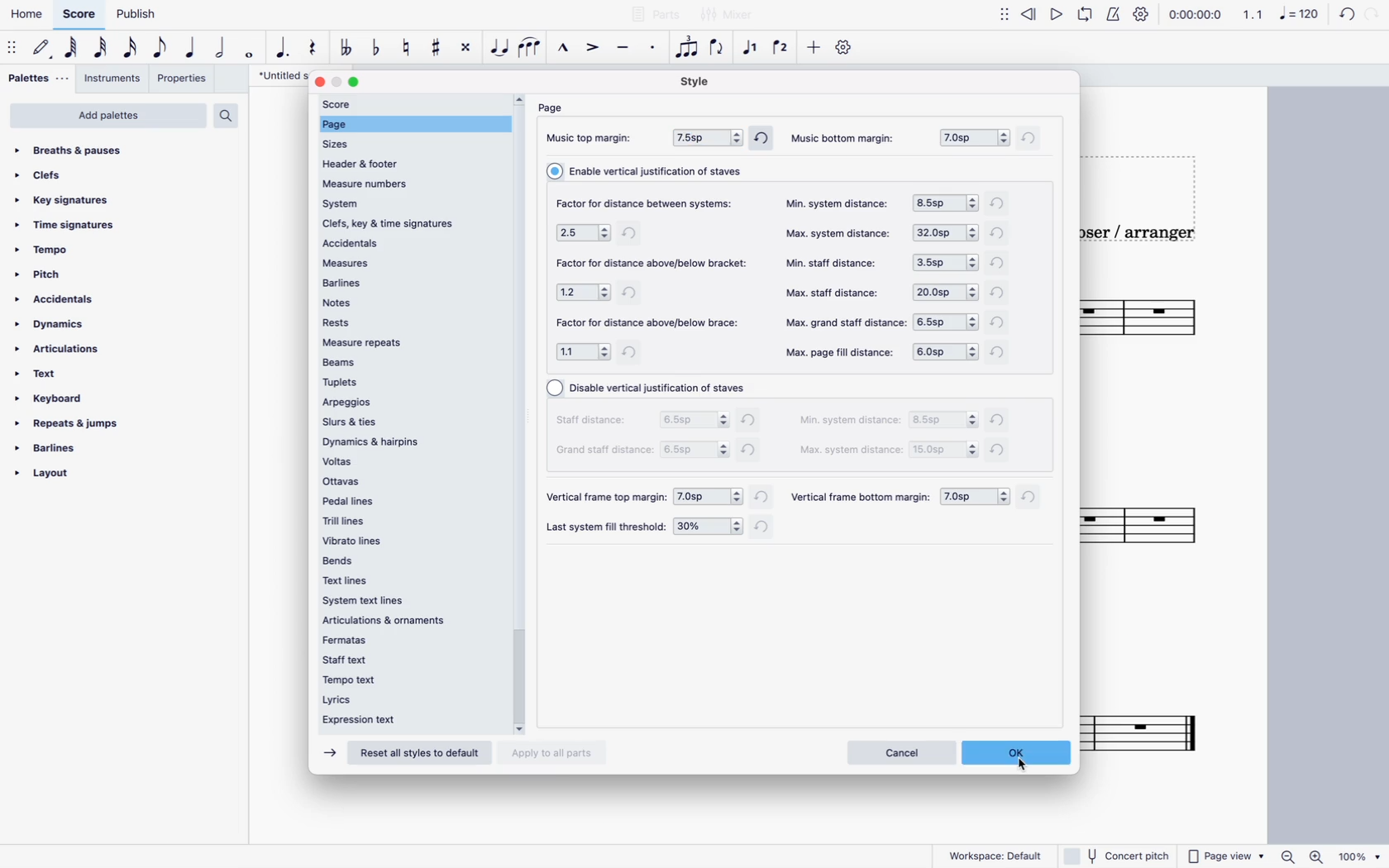 The image size is (1389, 868). Describe the element at coordinates (945, 290) in the screenshot. I see `options` at that location.